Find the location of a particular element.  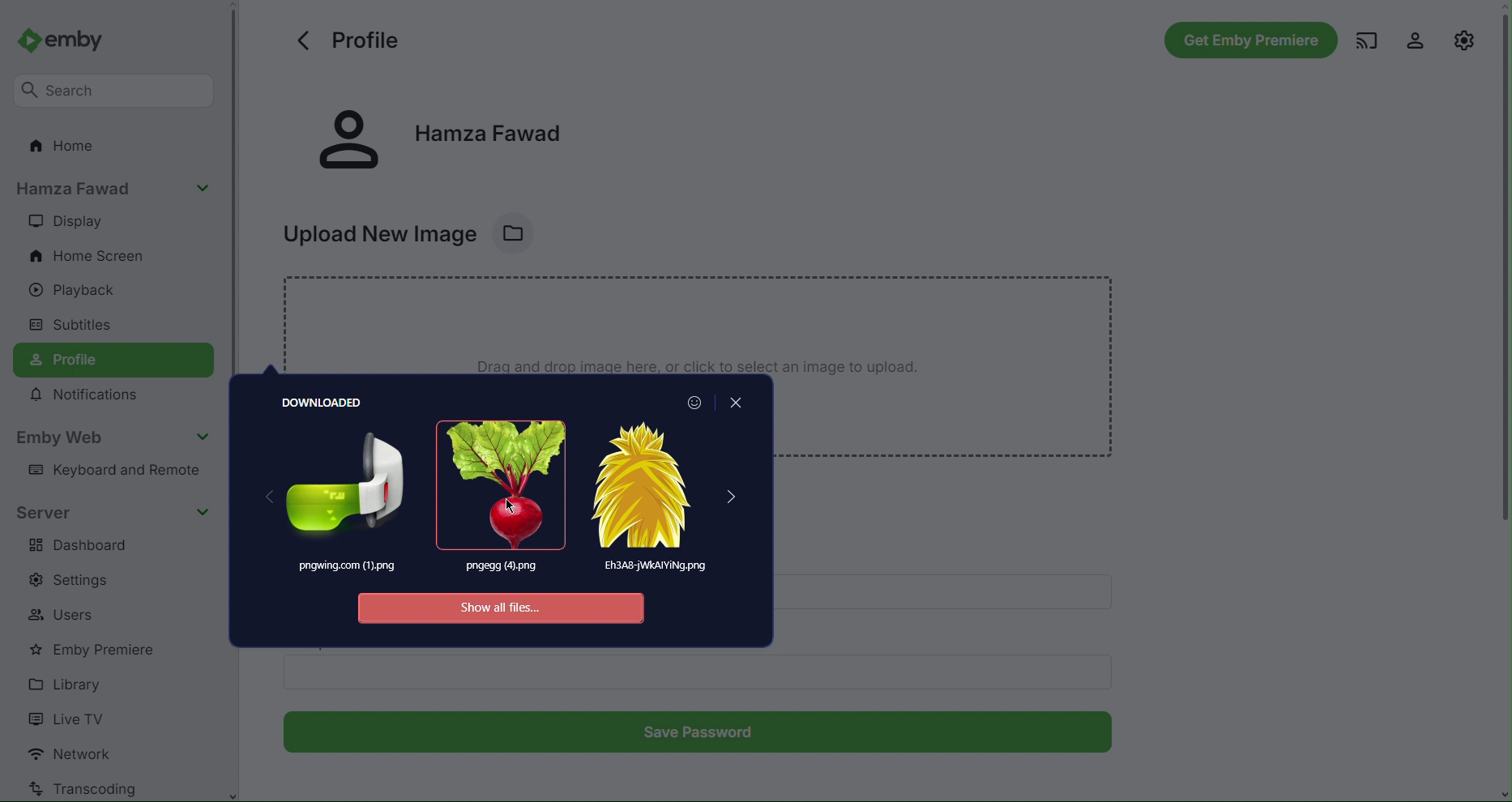

Home Screen is located at coordinates (90, 258).